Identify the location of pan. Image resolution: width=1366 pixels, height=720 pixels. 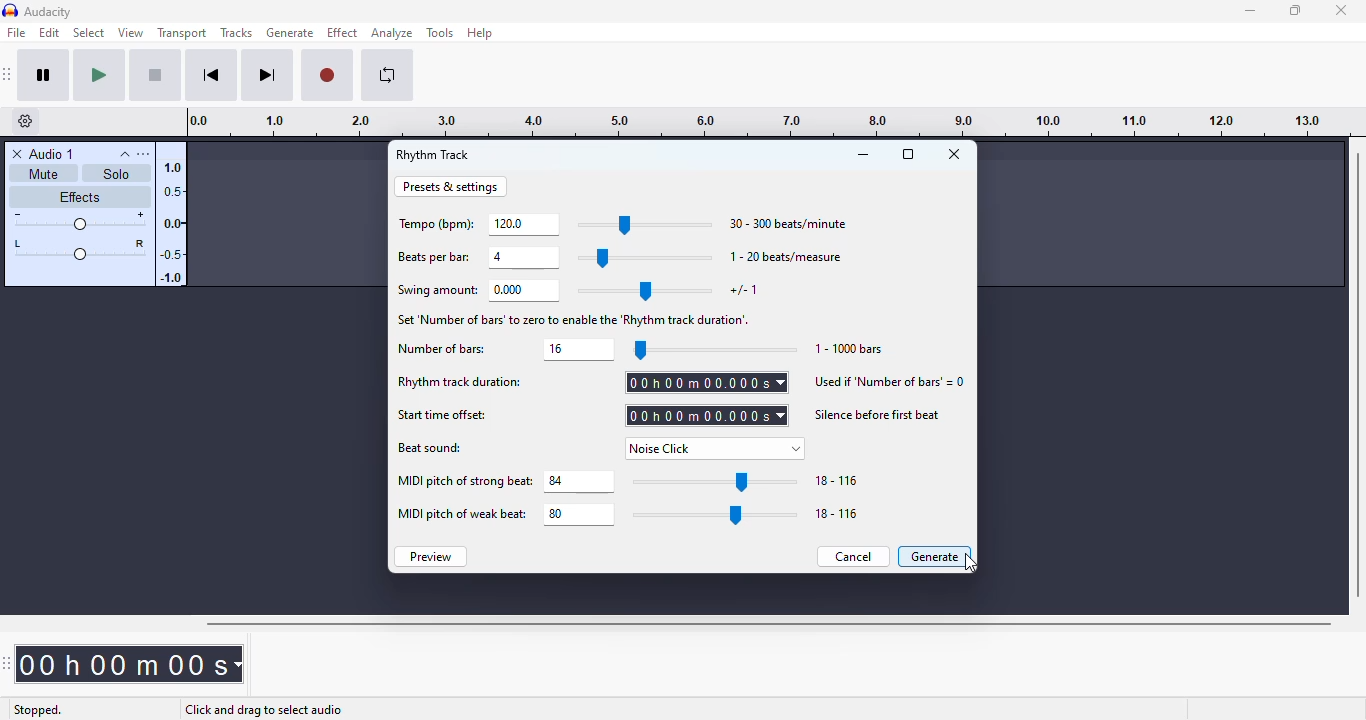
(79, 248).